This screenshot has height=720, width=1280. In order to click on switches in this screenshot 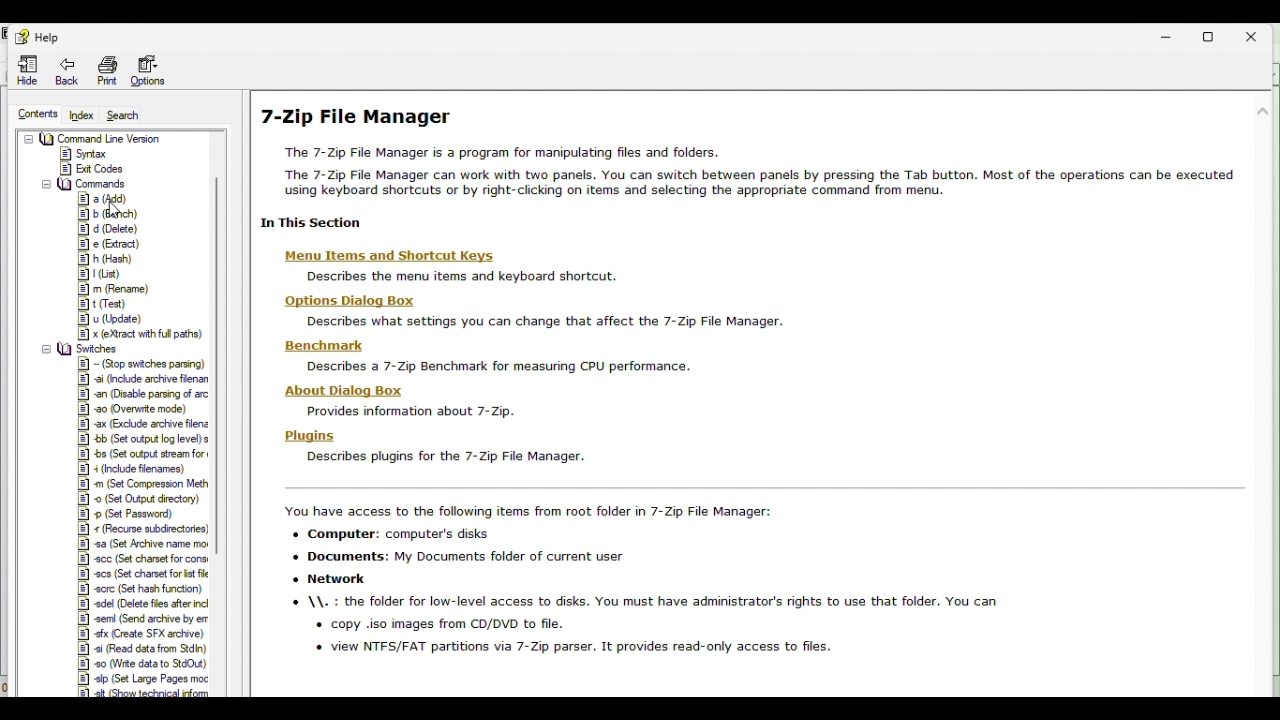, I will do `click(86, 349)`.